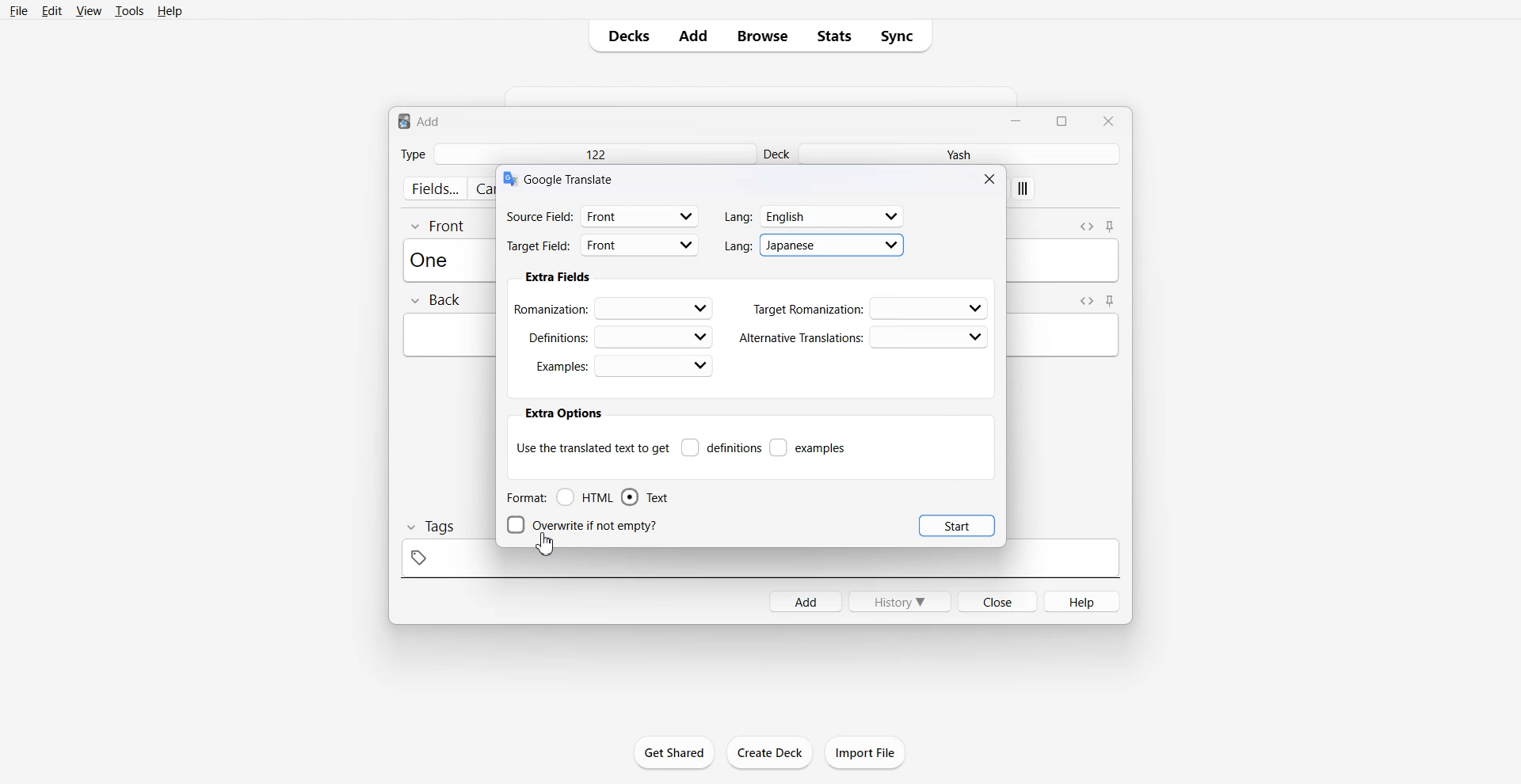 Image resolution: width=1521 pixels, height=784 pixels. I want to click on Use the translate text to get, so click(593, 447).